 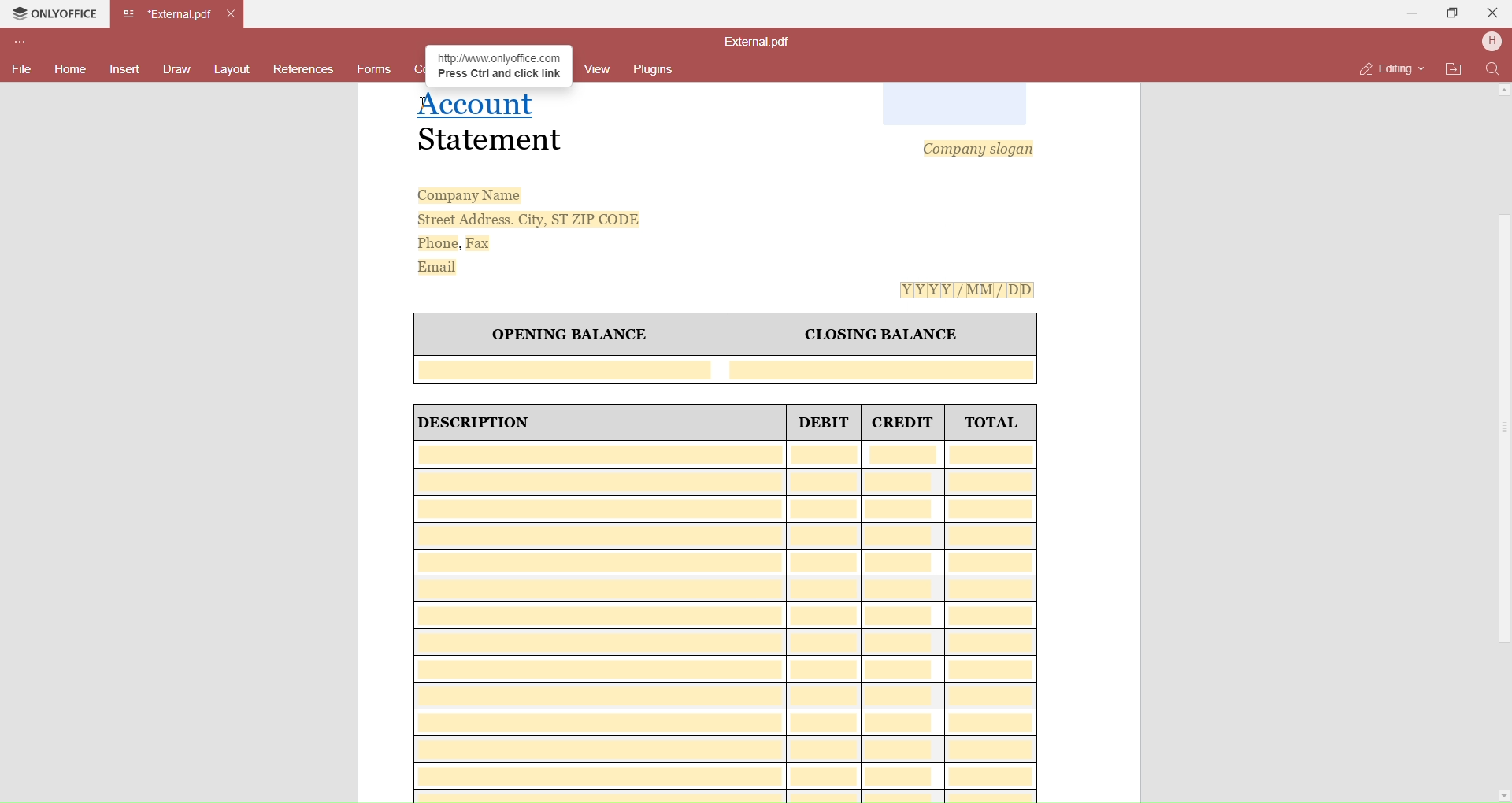 What do you see at coordinates (970, 290) in the screenshot?
I see `[Y[Y[Y[Y[/MM/ DD]` at bounding box center [970, 290].